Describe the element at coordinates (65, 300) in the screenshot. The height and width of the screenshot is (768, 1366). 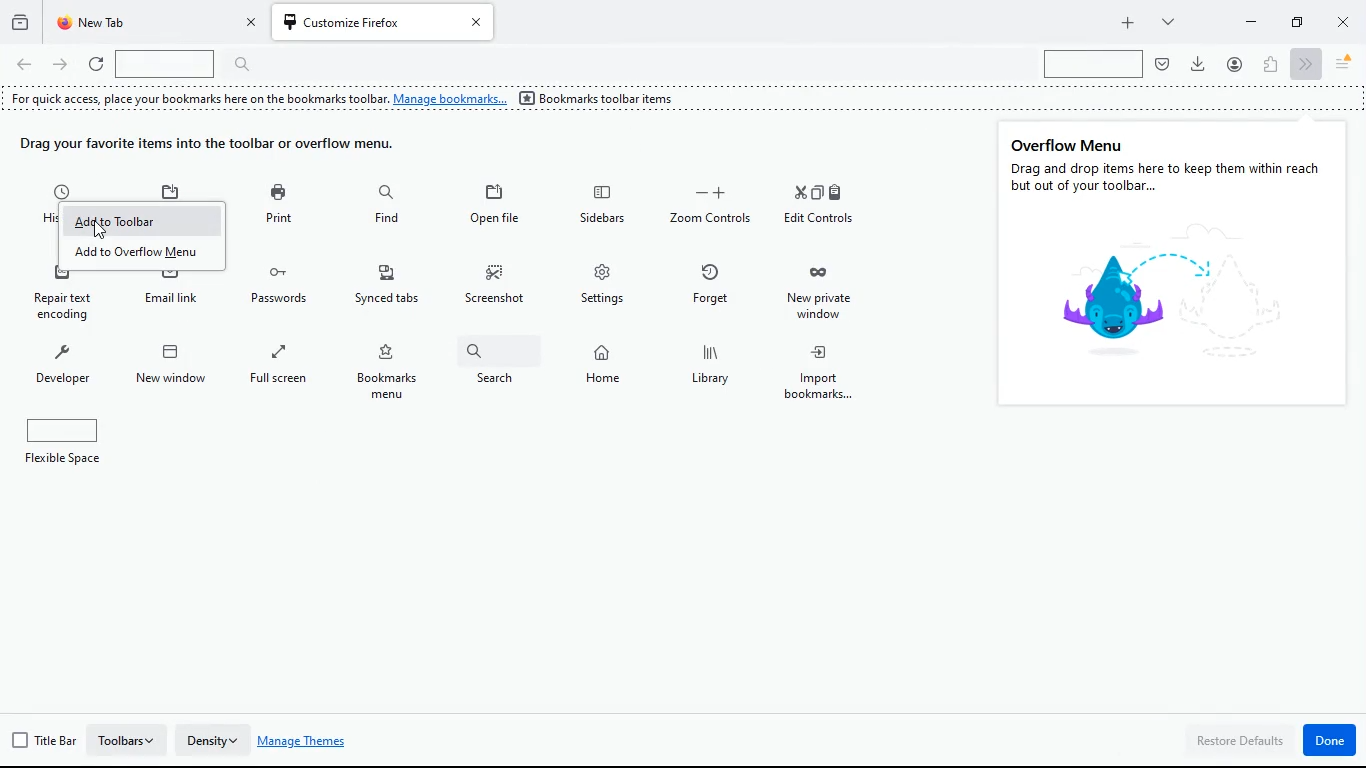
I see `repair text encoding` at that location.